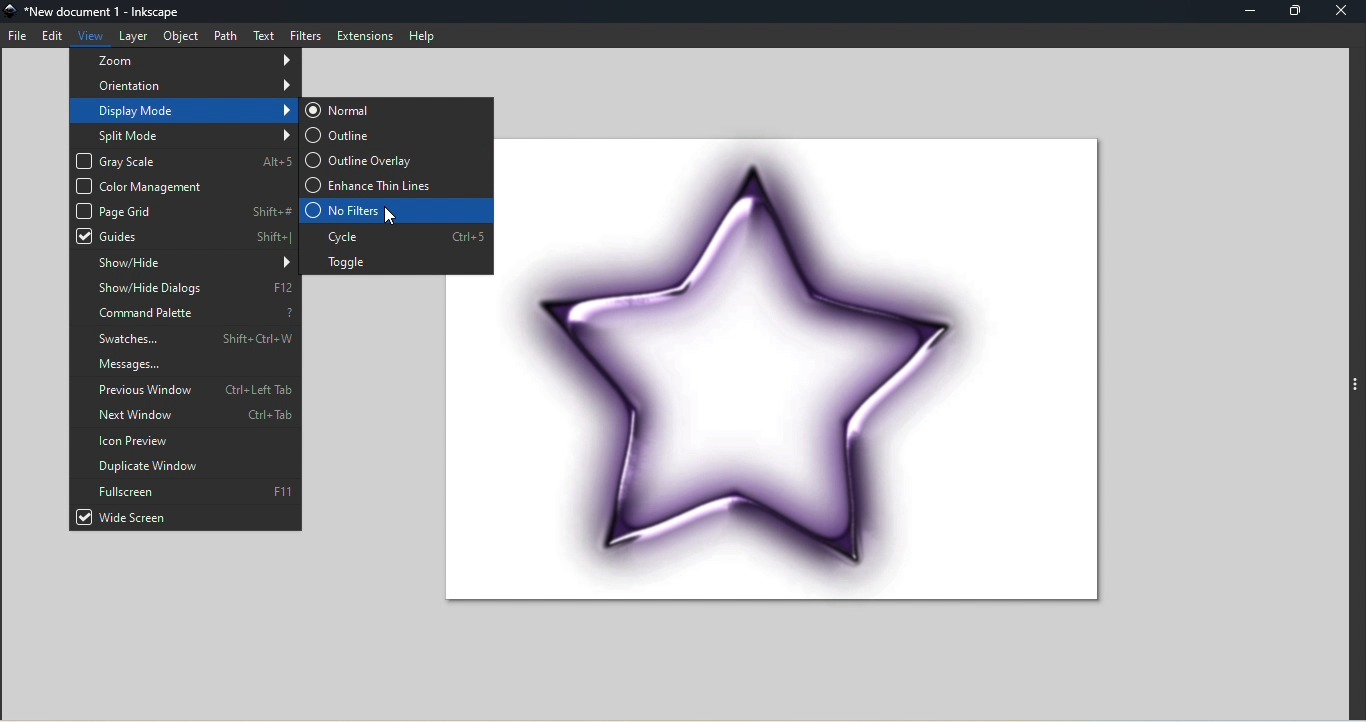 Image resolution: width=1366 pixels, height=722 pixels. Describe the element at coordinates (186, 337) in the screenshot. I see `Swatches` at that location.